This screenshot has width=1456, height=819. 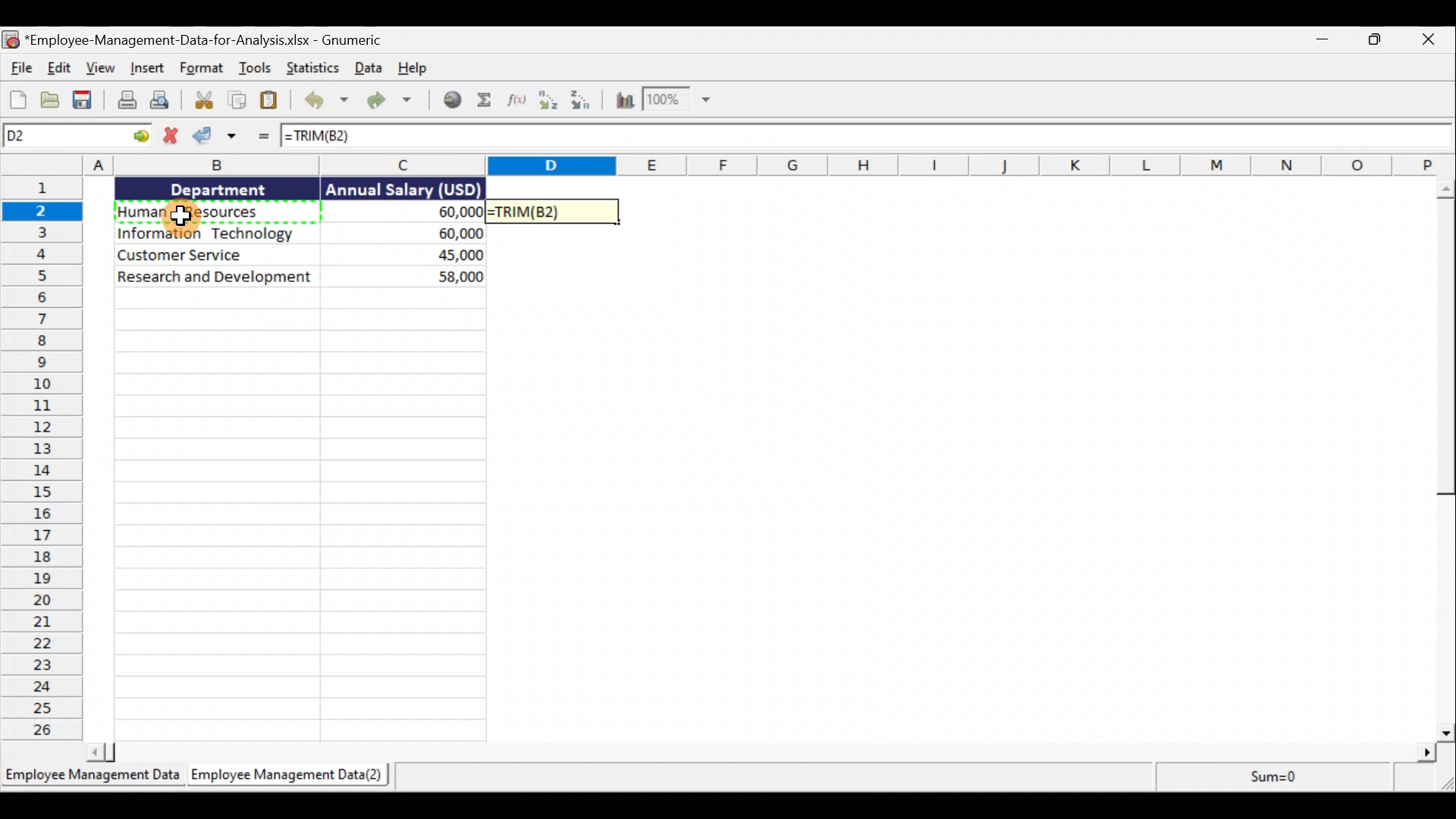 What do you see at coordinates (41, 459) in the screenshot?
I see `Rows` at bounding box center [41, 459].